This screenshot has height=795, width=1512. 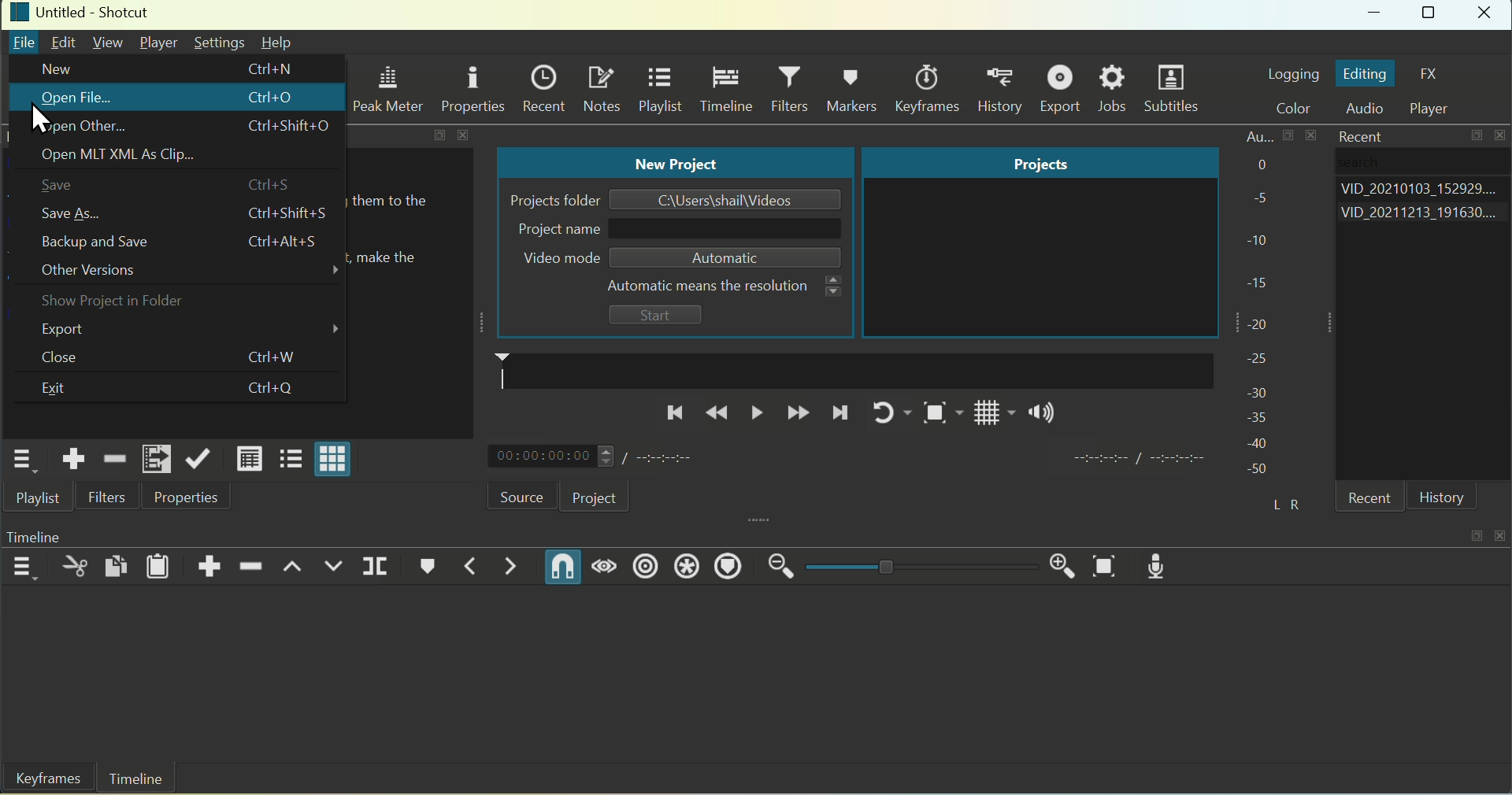 What do you see at coordinates (932, 88) in the screenshot?
I see `Keyframes` at bounding box center [932, 88].